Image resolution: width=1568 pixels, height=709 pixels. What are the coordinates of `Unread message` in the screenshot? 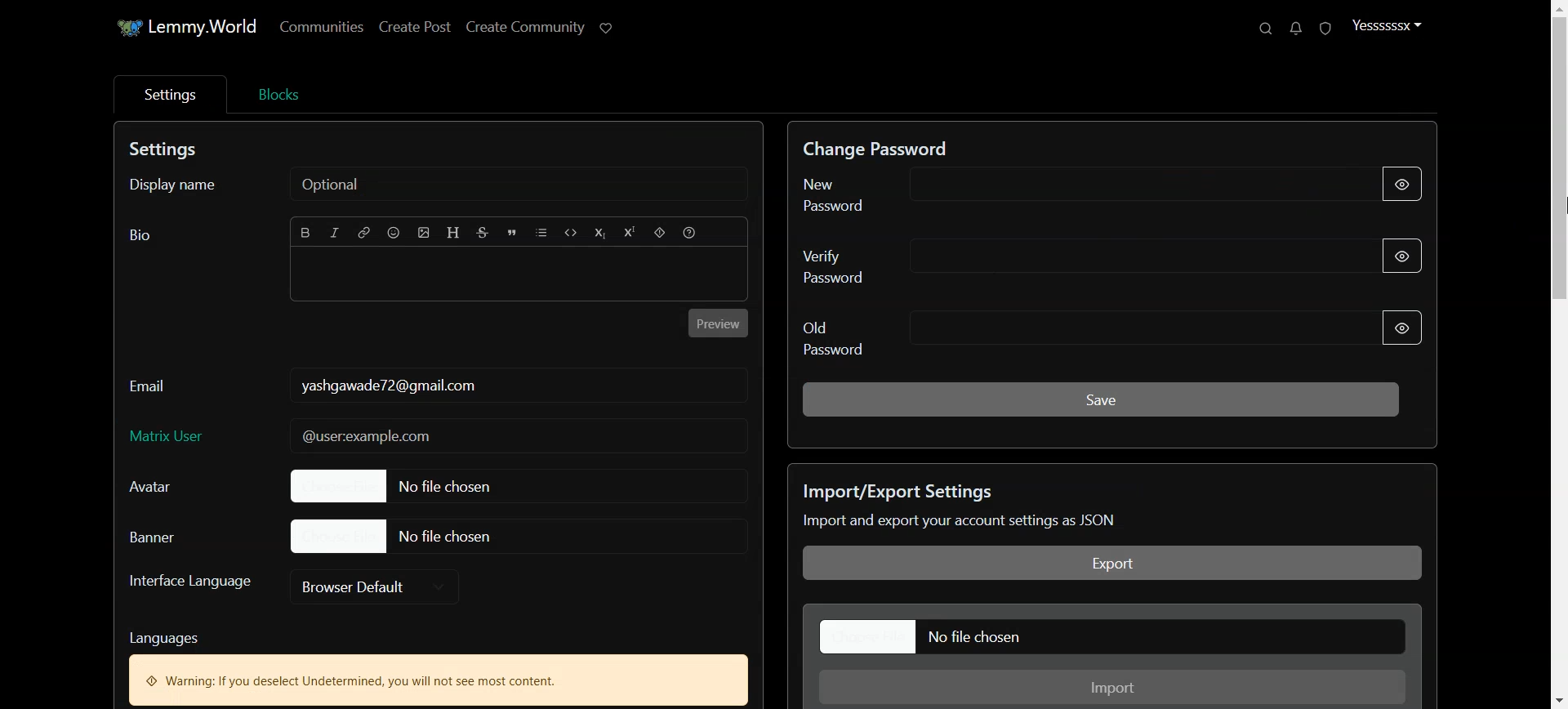 It's located at (1296, 28).